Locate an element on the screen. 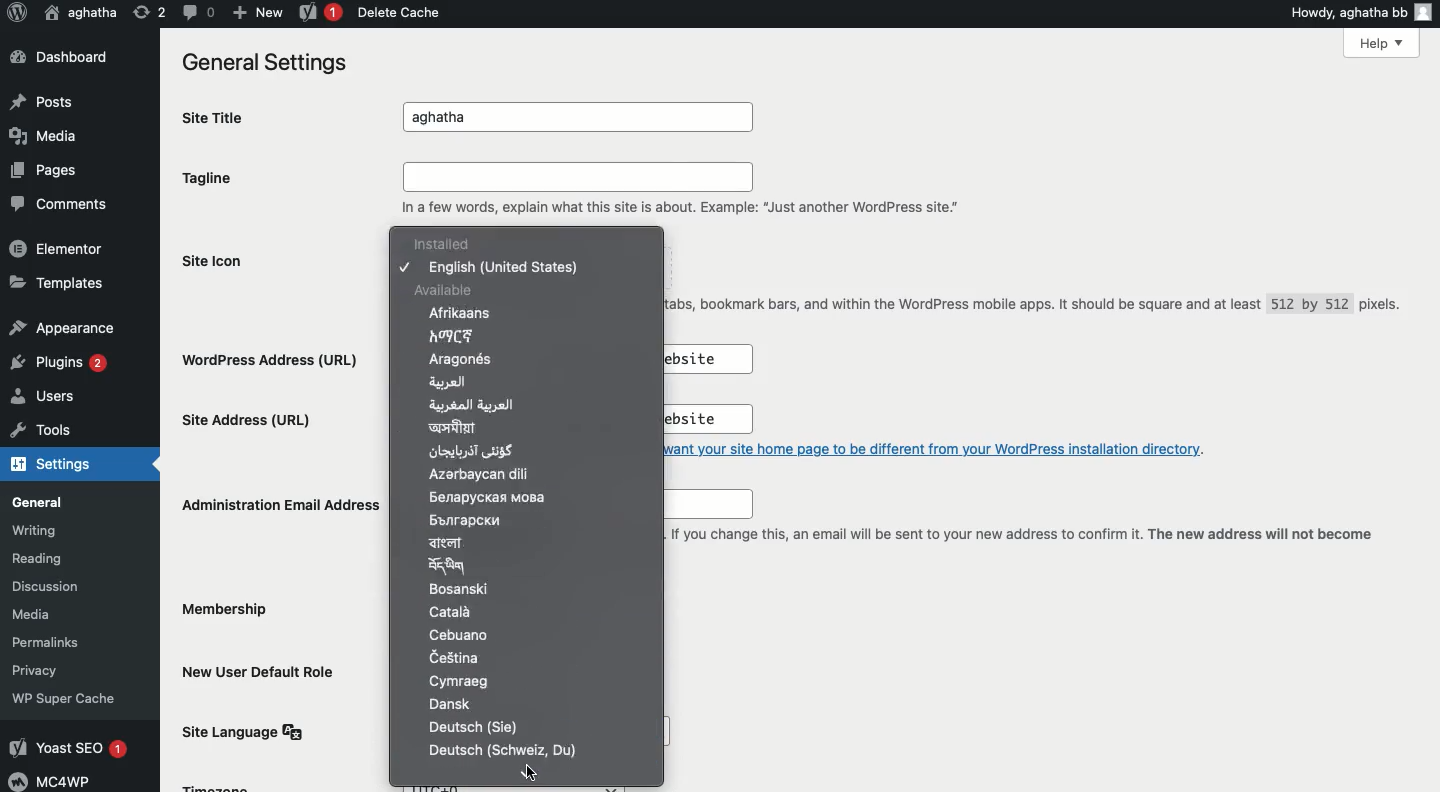 This screenshot has height=792, width=1440. New user default role is located at coordinates (264, 670).